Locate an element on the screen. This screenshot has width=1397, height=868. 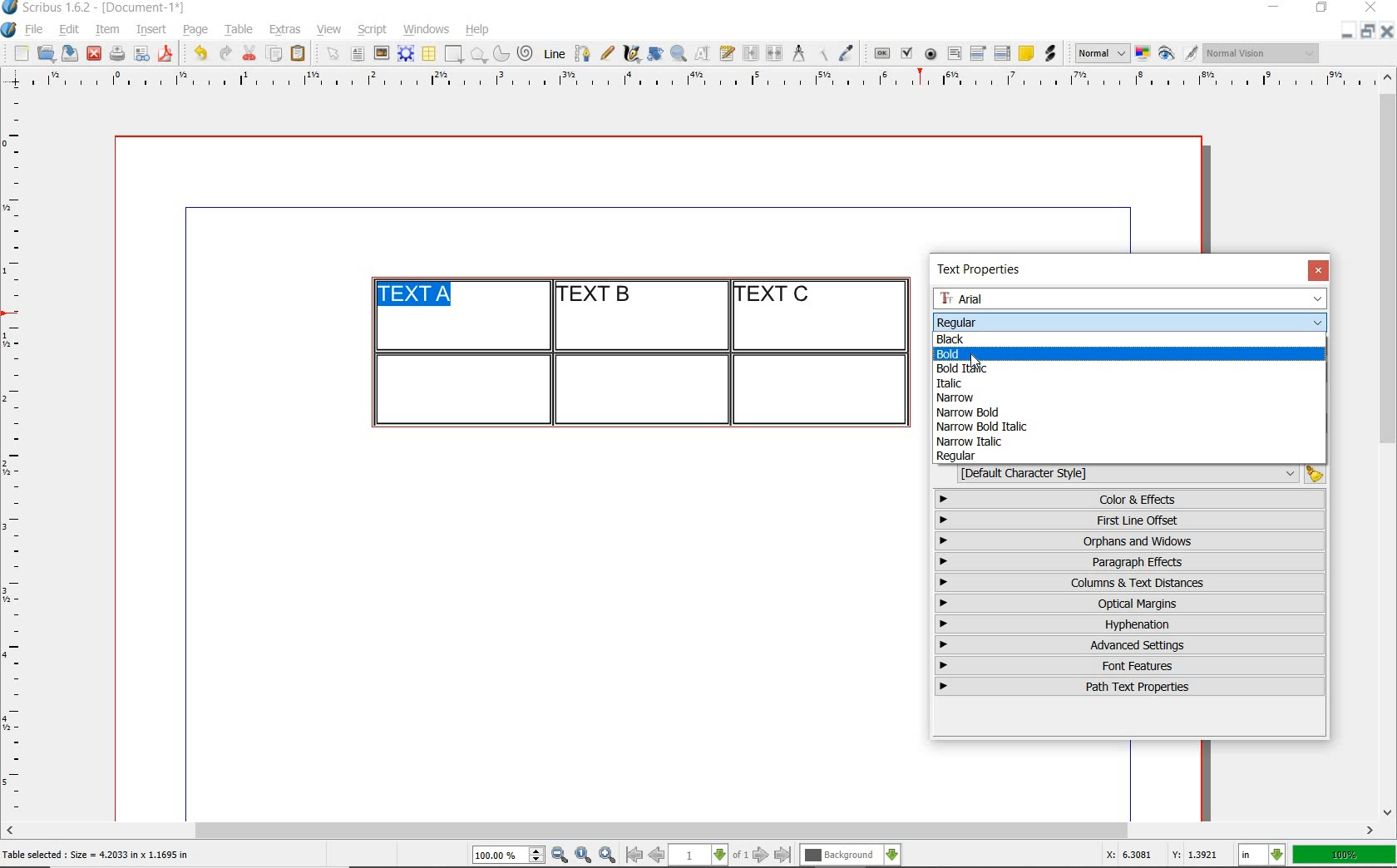
spiral is located at coordinates (526, 53).